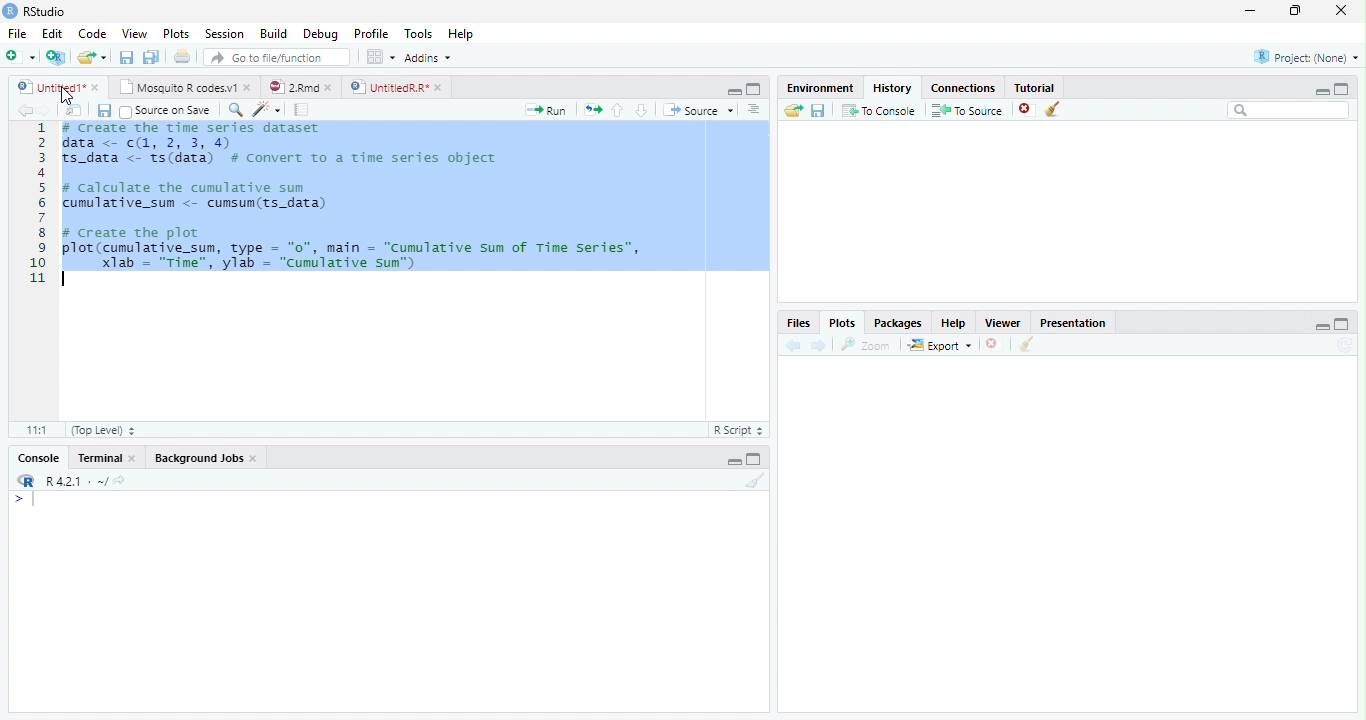  Describe the element at coordinates (381, 61) in the screenshot. I see `workspace panes` at that location.